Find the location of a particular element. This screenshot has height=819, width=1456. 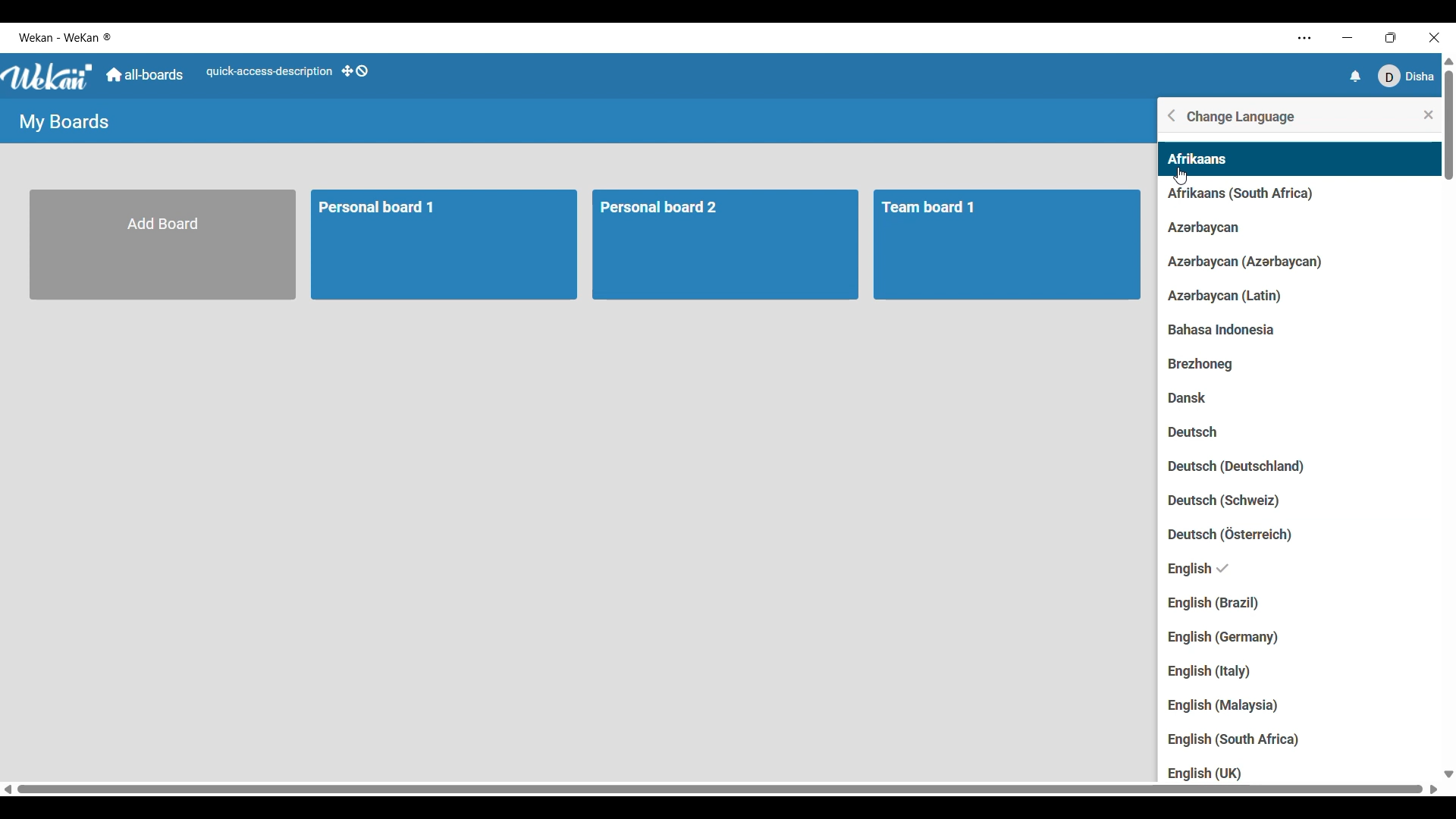

Horizontal slide bar is located at coordinates (720, 789).